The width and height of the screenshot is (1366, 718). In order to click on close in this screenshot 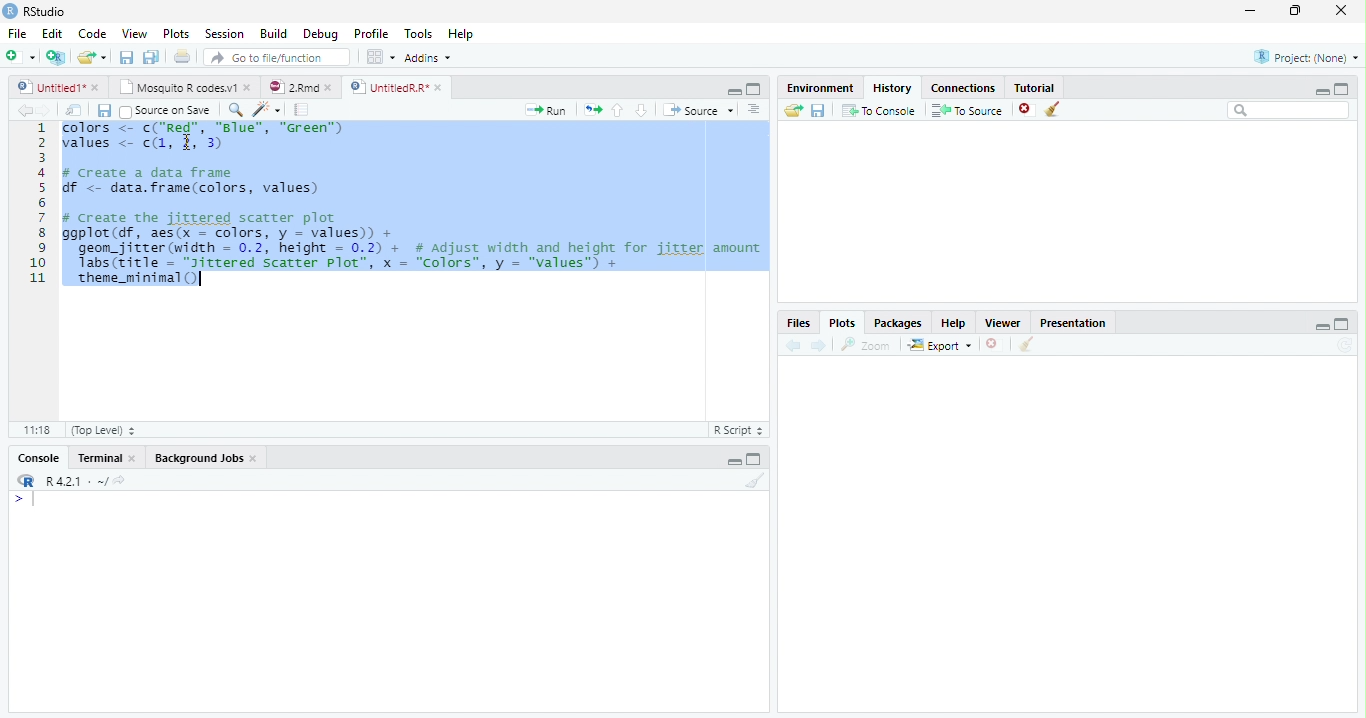, I will do `click(247, 87)`.